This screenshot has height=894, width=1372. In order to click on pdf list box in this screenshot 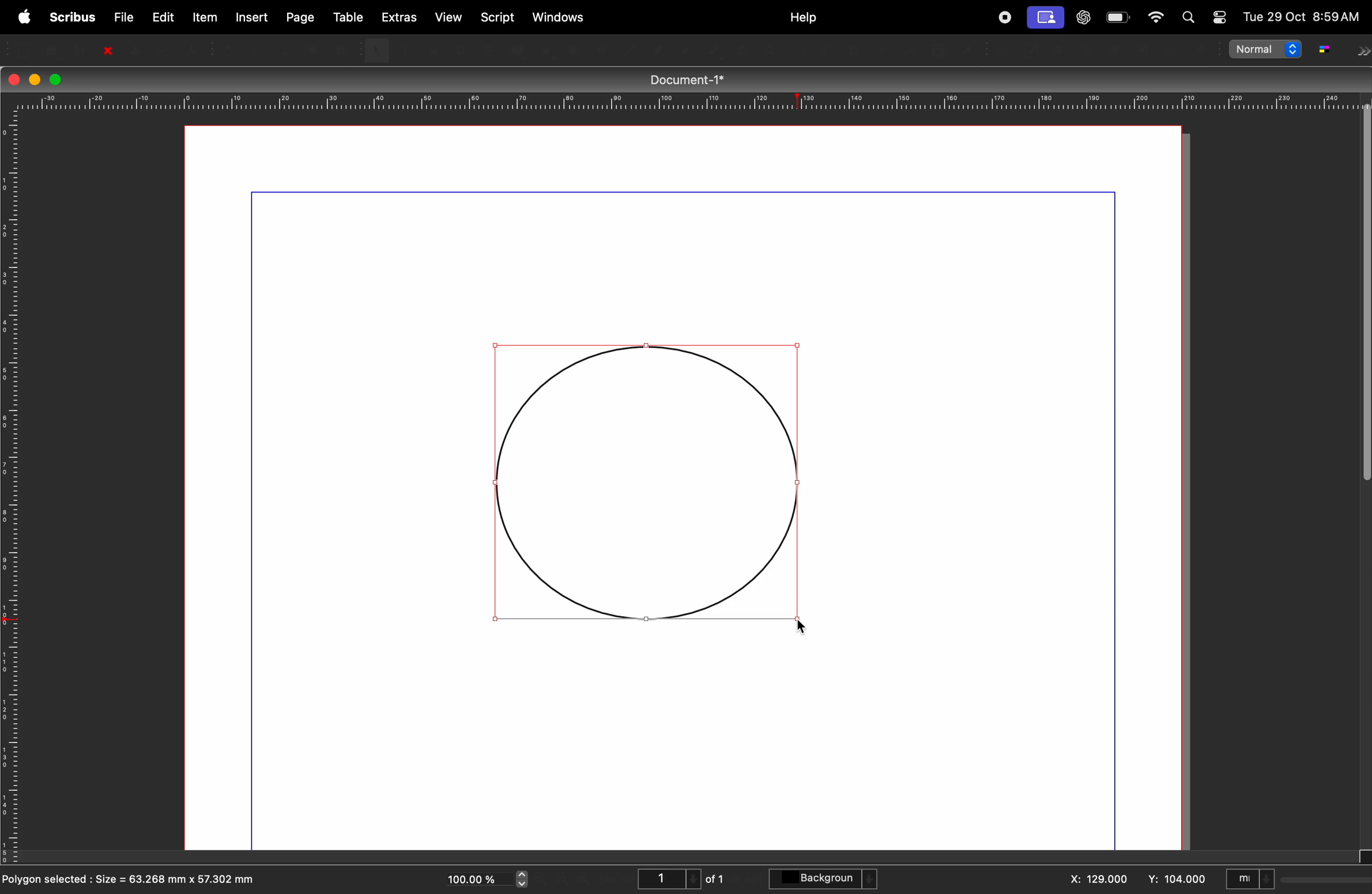, I will do `click(1143, 50)`.